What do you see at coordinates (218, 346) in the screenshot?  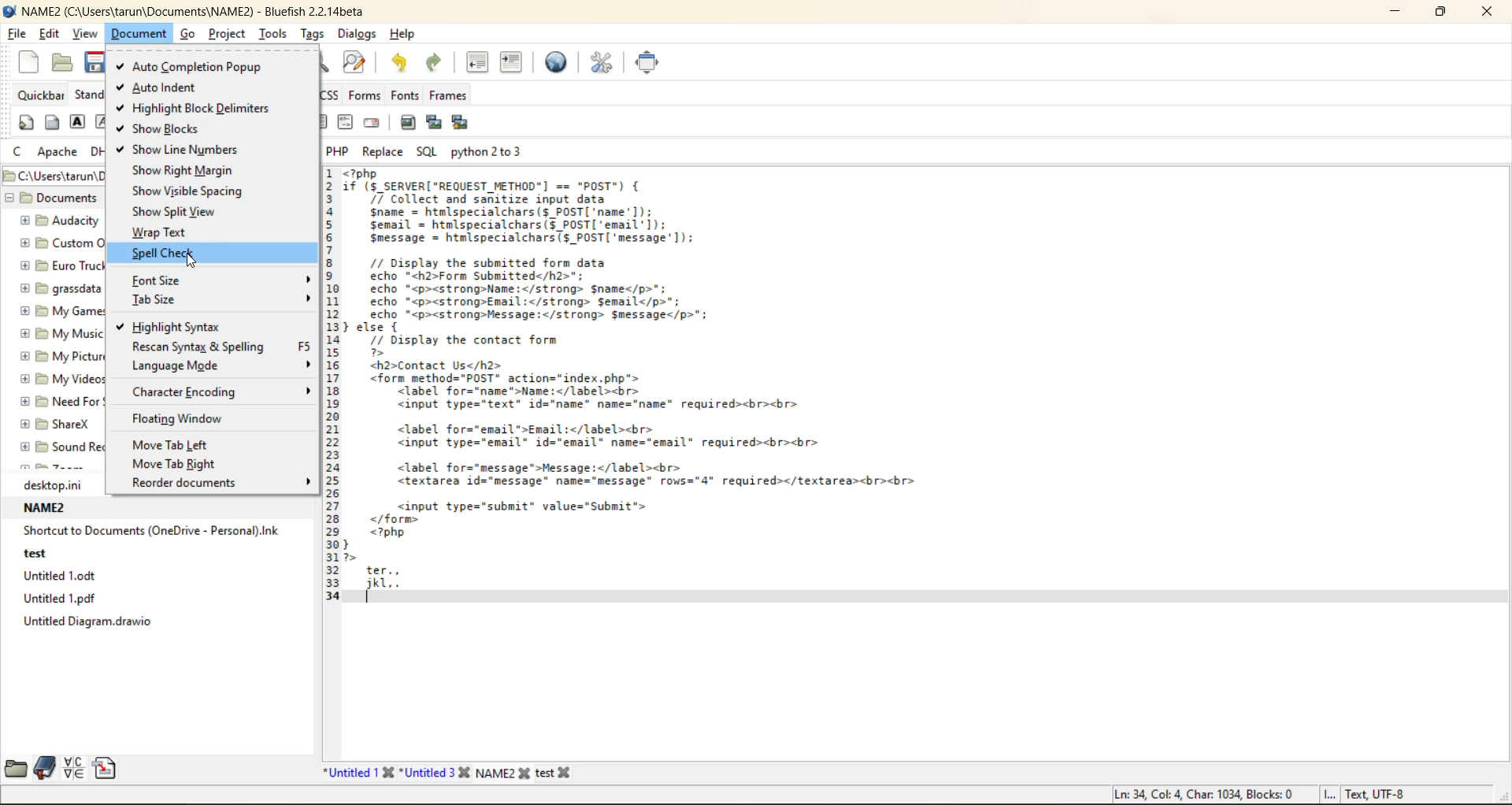 I see `rescan syntax and spelling` at bounding box center [218, 346].